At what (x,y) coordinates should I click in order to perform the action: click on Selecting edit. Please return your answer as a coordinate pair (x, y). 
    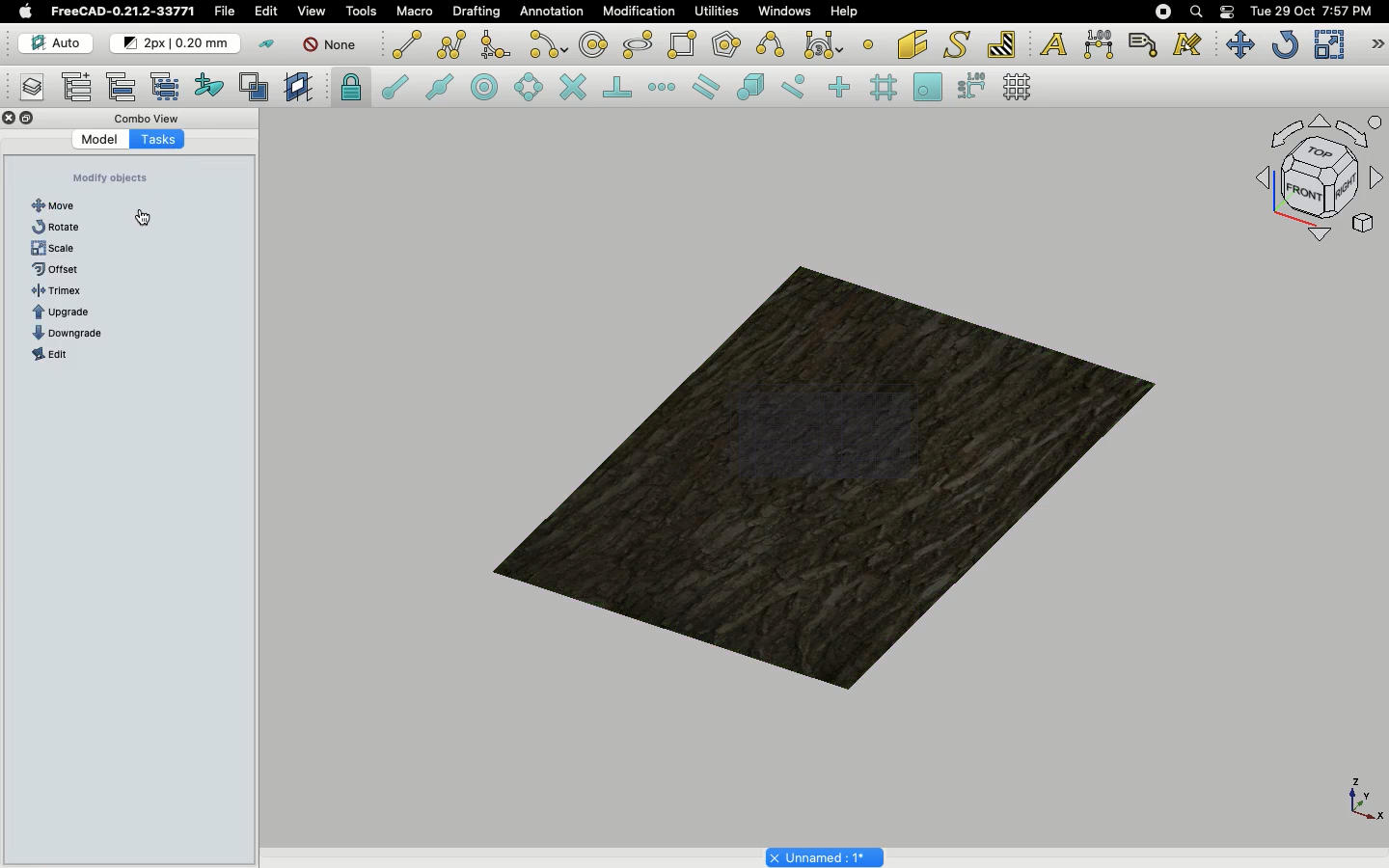
    Looking at the image, I should click on (270, 13).